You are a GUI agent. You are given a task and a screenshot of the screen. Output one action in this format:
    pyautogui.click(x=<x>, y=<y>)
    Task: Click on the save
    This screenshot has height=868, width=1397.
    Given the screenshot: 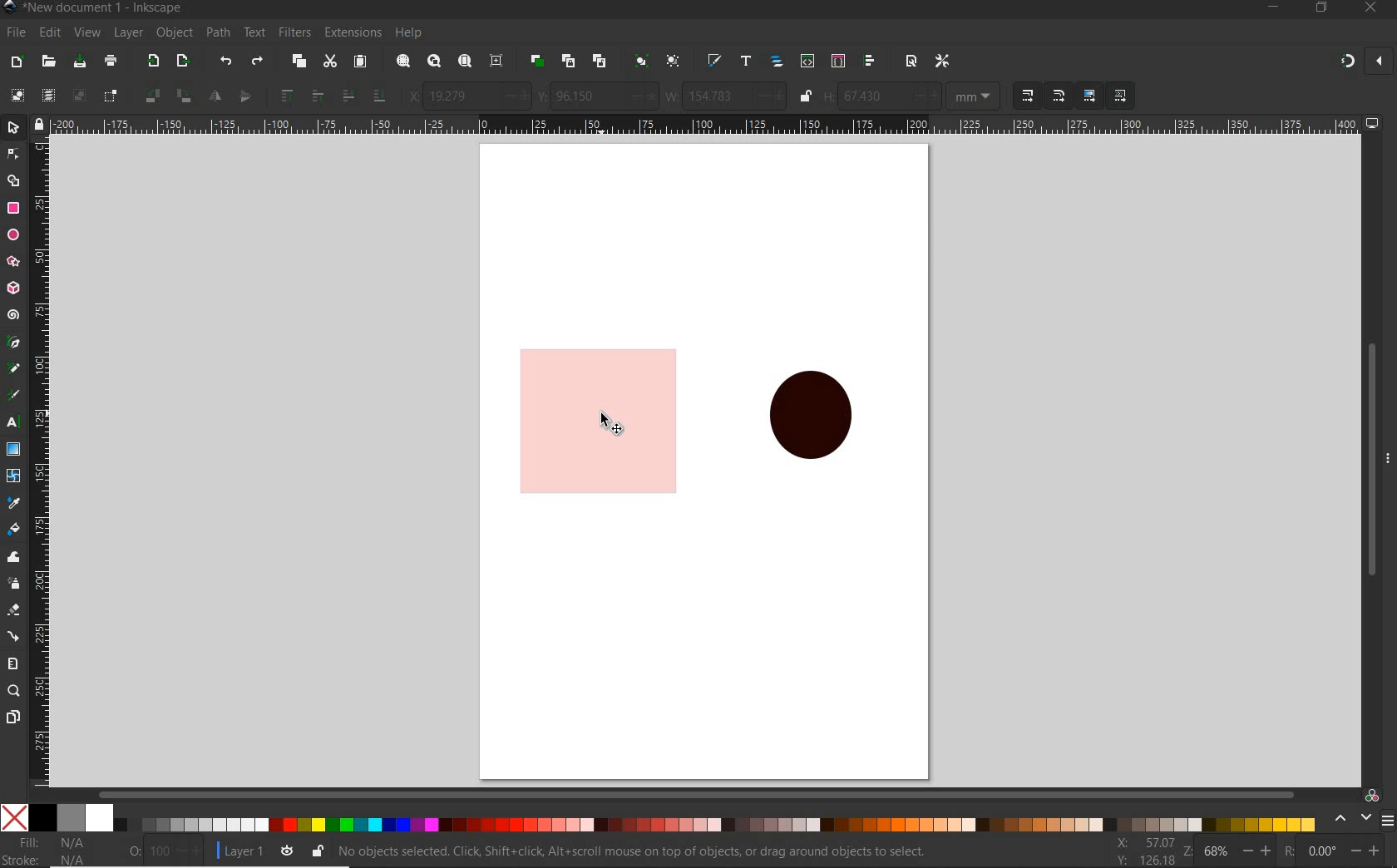 What is the action you would take?
    pyautogui.click(x=80, y=61)
    